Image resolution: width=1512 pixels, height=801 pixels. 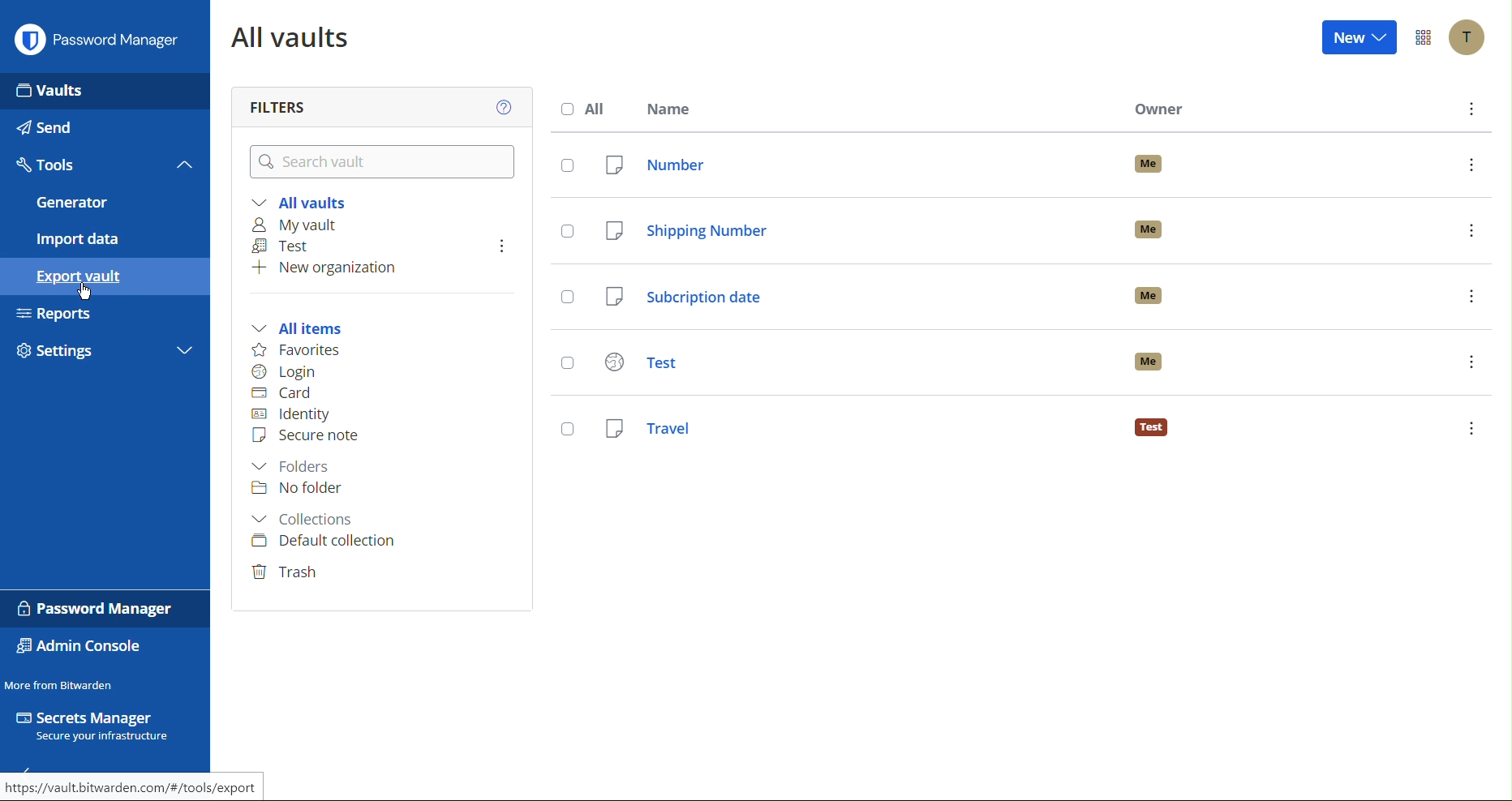 What do you see at coordinates (856, 230) in the screenshot?
I see `Shipping Number` at bounding box center [856, 230].